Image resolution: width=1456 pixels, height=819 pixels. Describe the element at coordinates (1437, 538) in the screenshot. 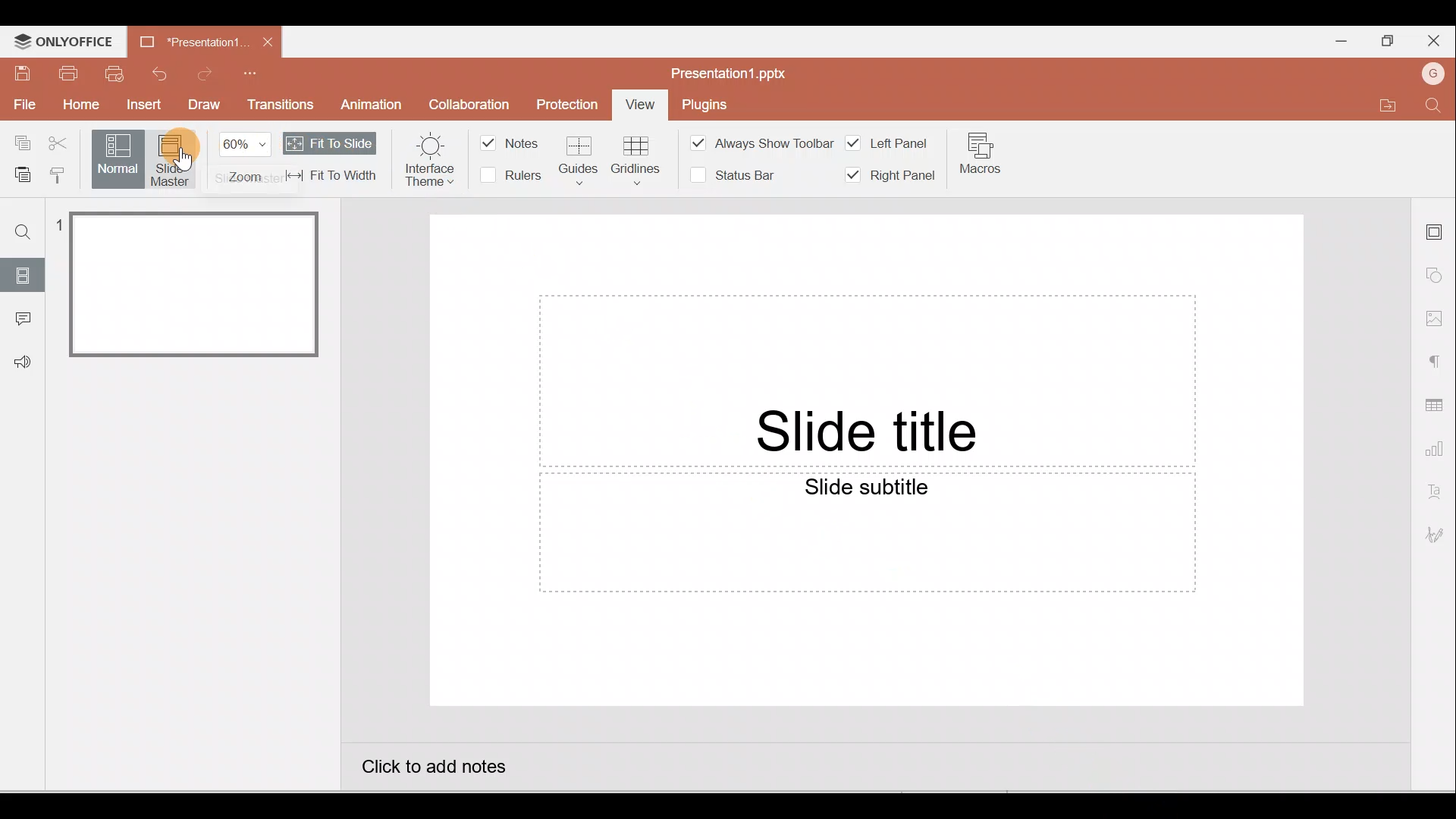

I see `Signature settings` at that location.